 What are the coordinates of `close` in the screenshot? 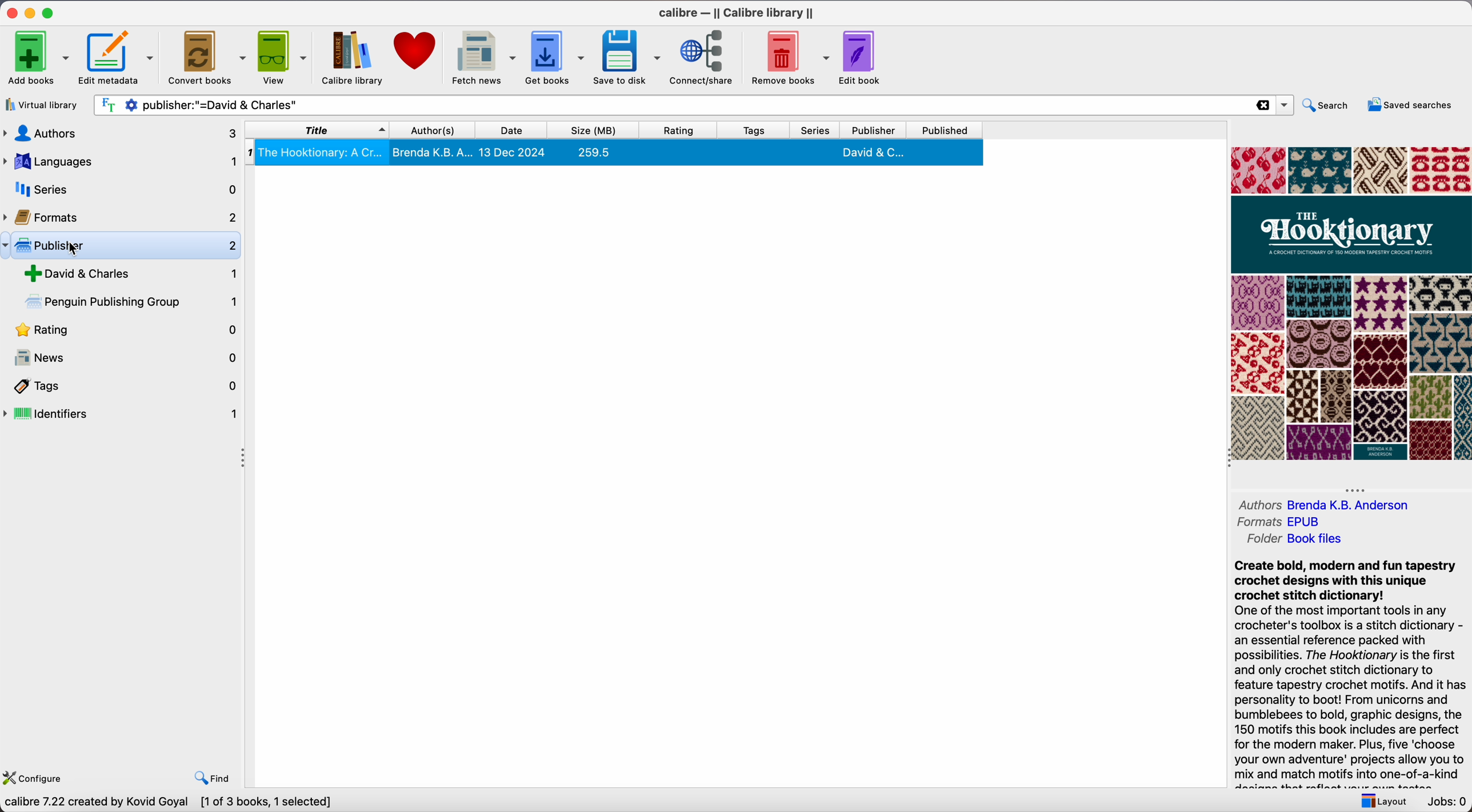 It's located at (10, 13).